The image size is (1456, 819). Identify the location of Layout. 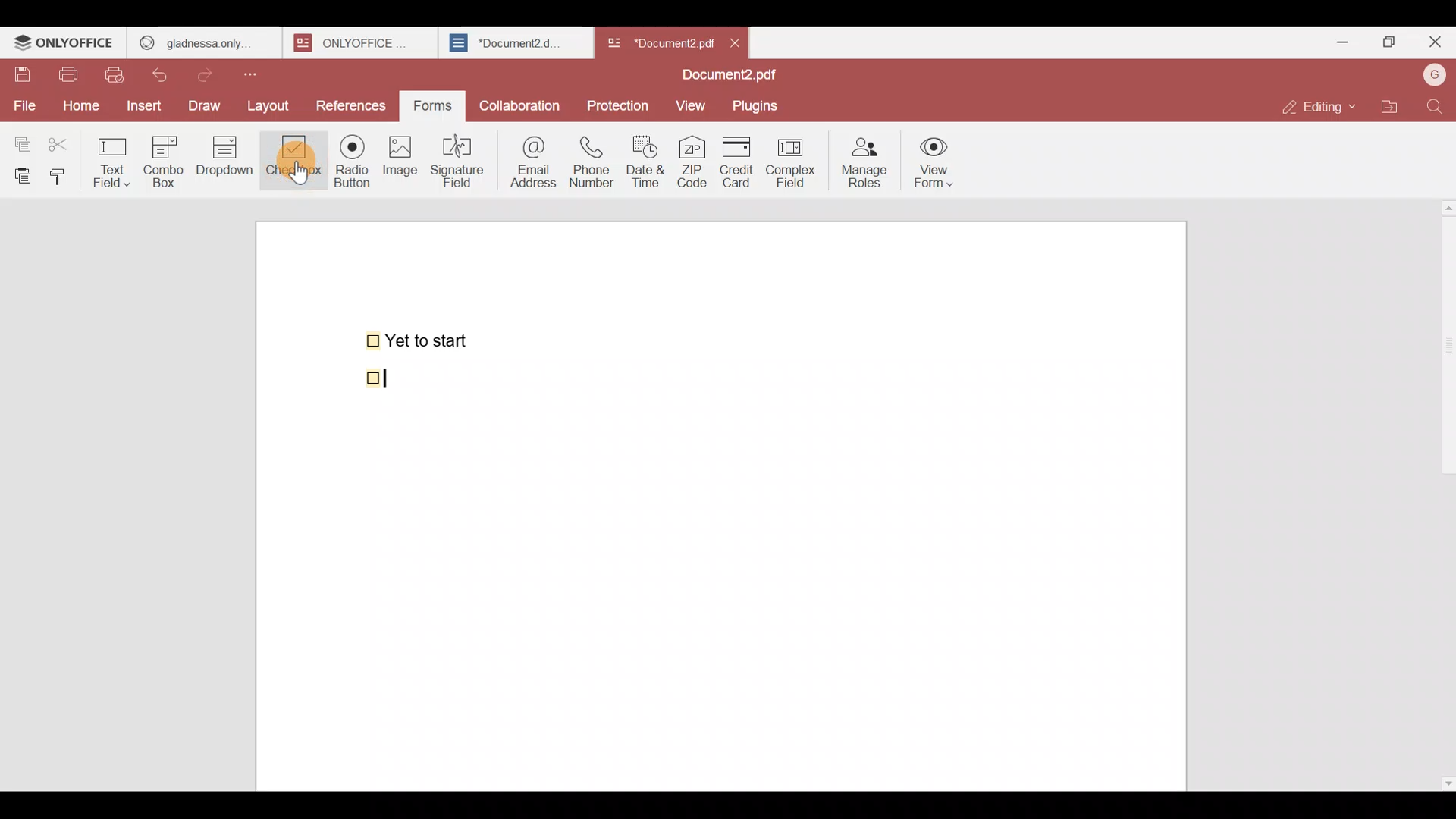
(275, 104).